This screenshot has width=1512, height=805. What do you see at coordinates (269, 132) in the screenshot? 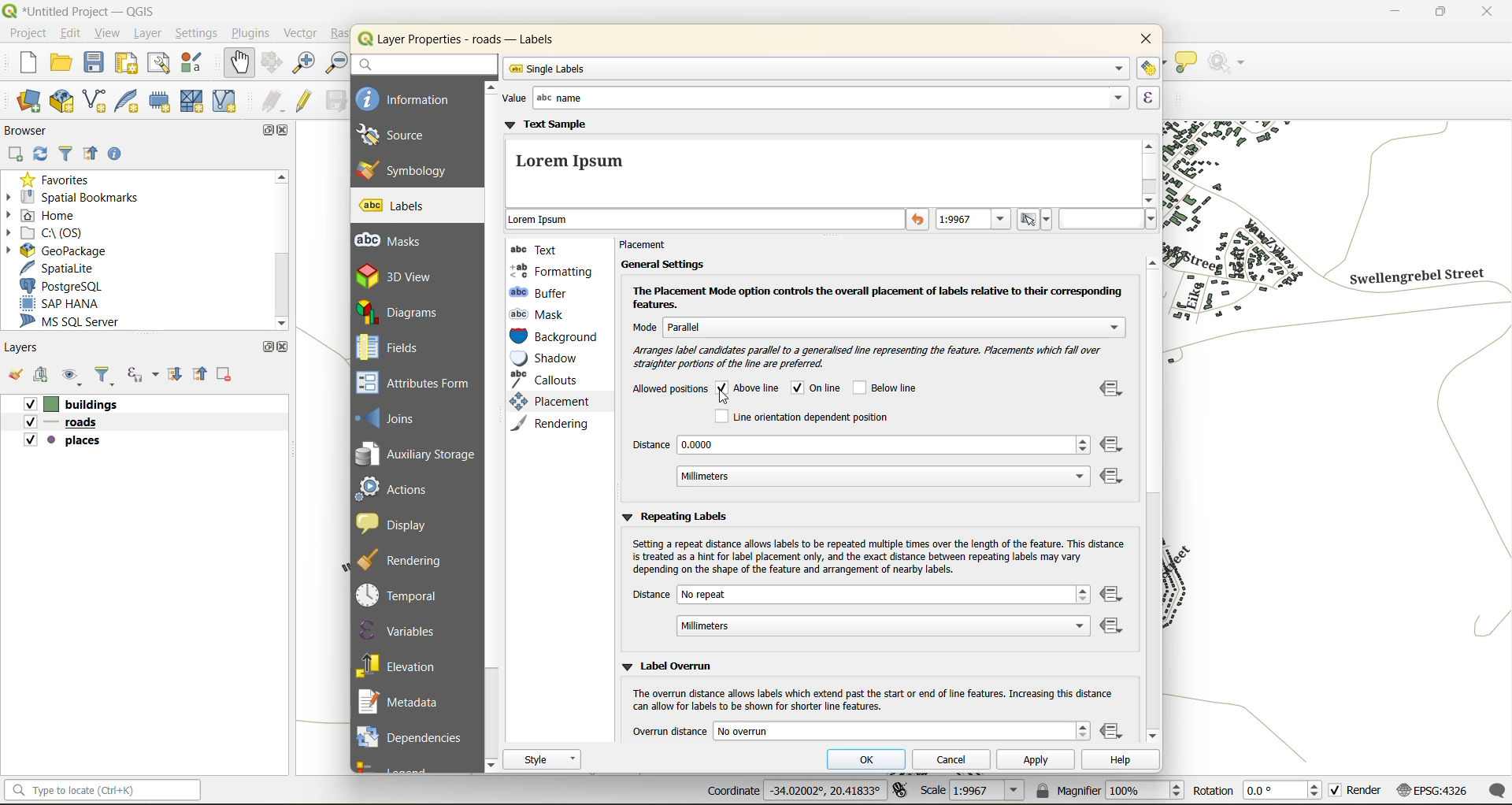
I see `maximize` at bounding box center [269, 132].